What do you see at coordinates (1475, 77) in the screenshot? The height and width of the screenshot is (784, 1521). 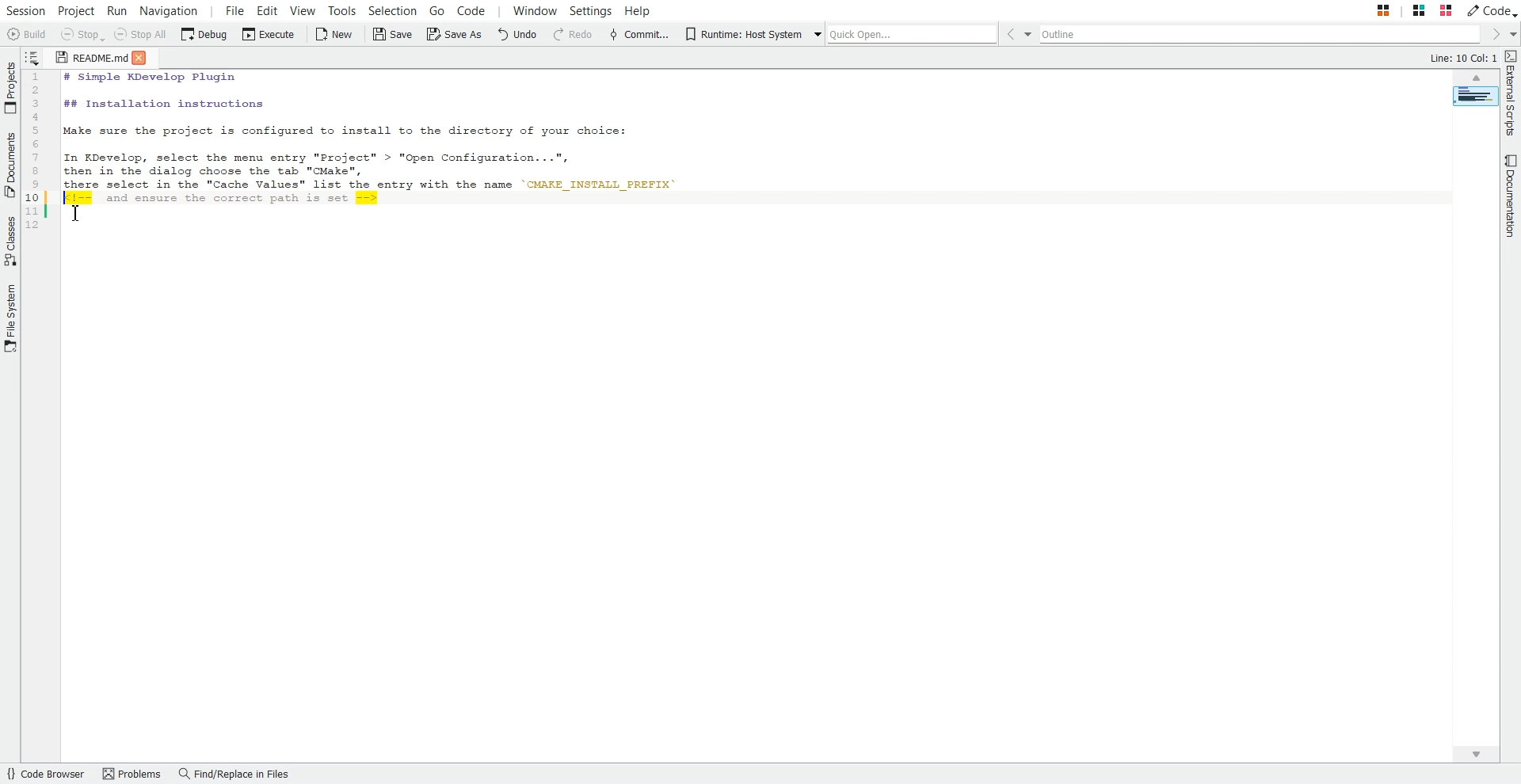 I see `Scroll up` at bounding box center [1475, 77].